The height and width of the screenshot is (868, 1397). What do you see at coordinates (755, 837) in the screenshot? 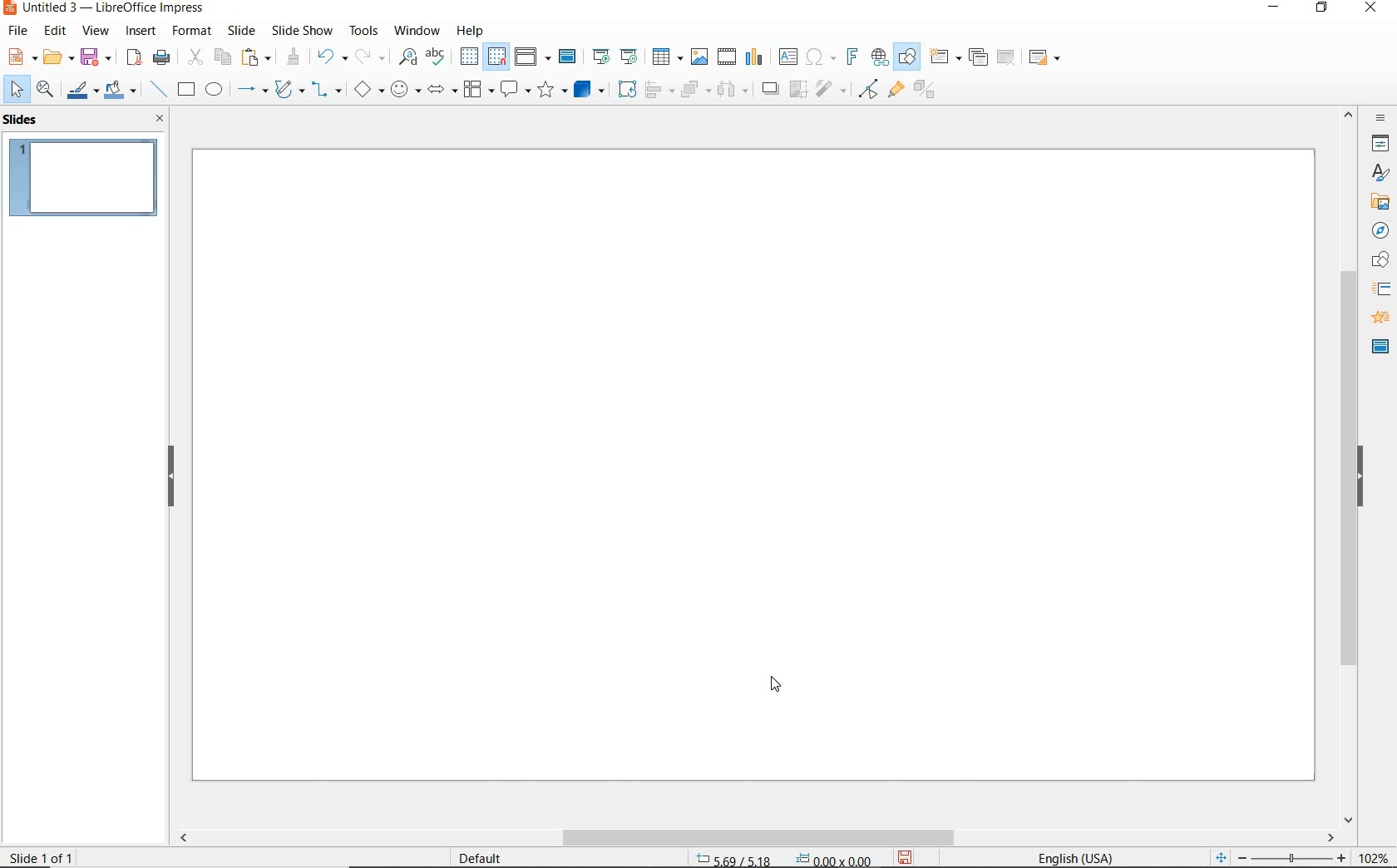
I see `SCROLLBAR` at bounding box center [755, 837].